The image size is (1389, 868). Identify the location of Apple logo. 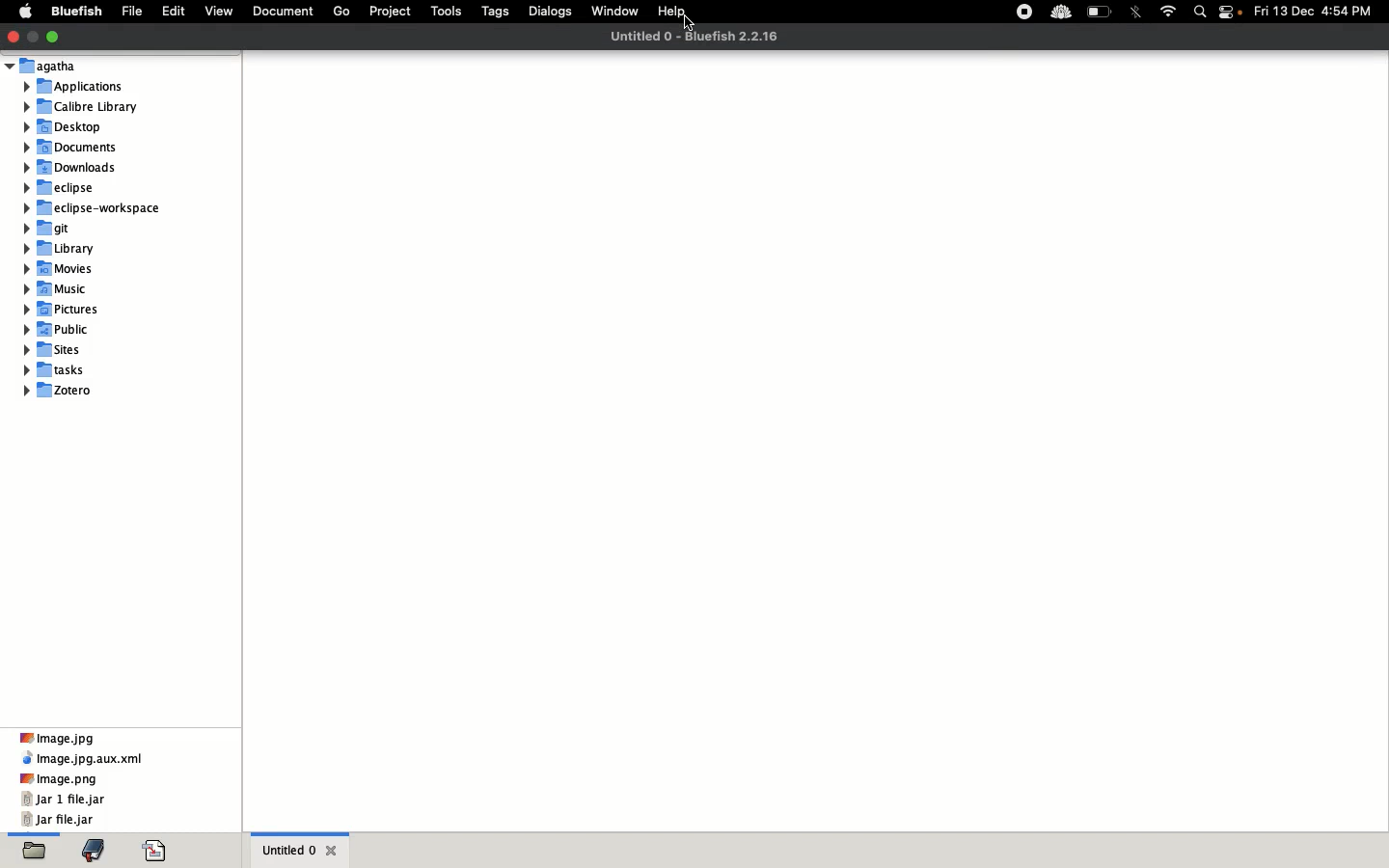
(26, 11).